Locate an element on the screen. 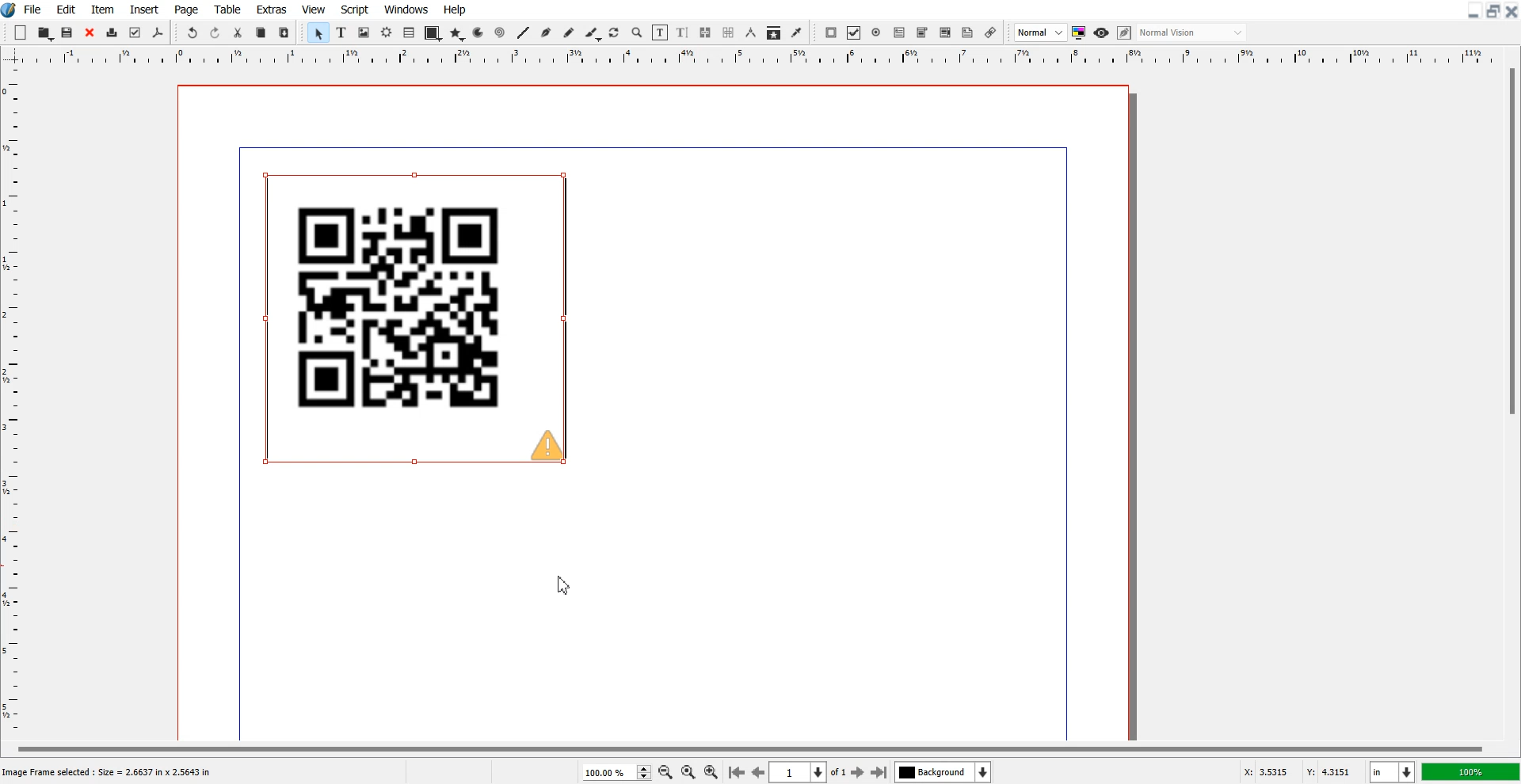 Image resolution: width=1521 pixels, height=784 pixels. Zoom in or Out is located at coordinates (638, 33).